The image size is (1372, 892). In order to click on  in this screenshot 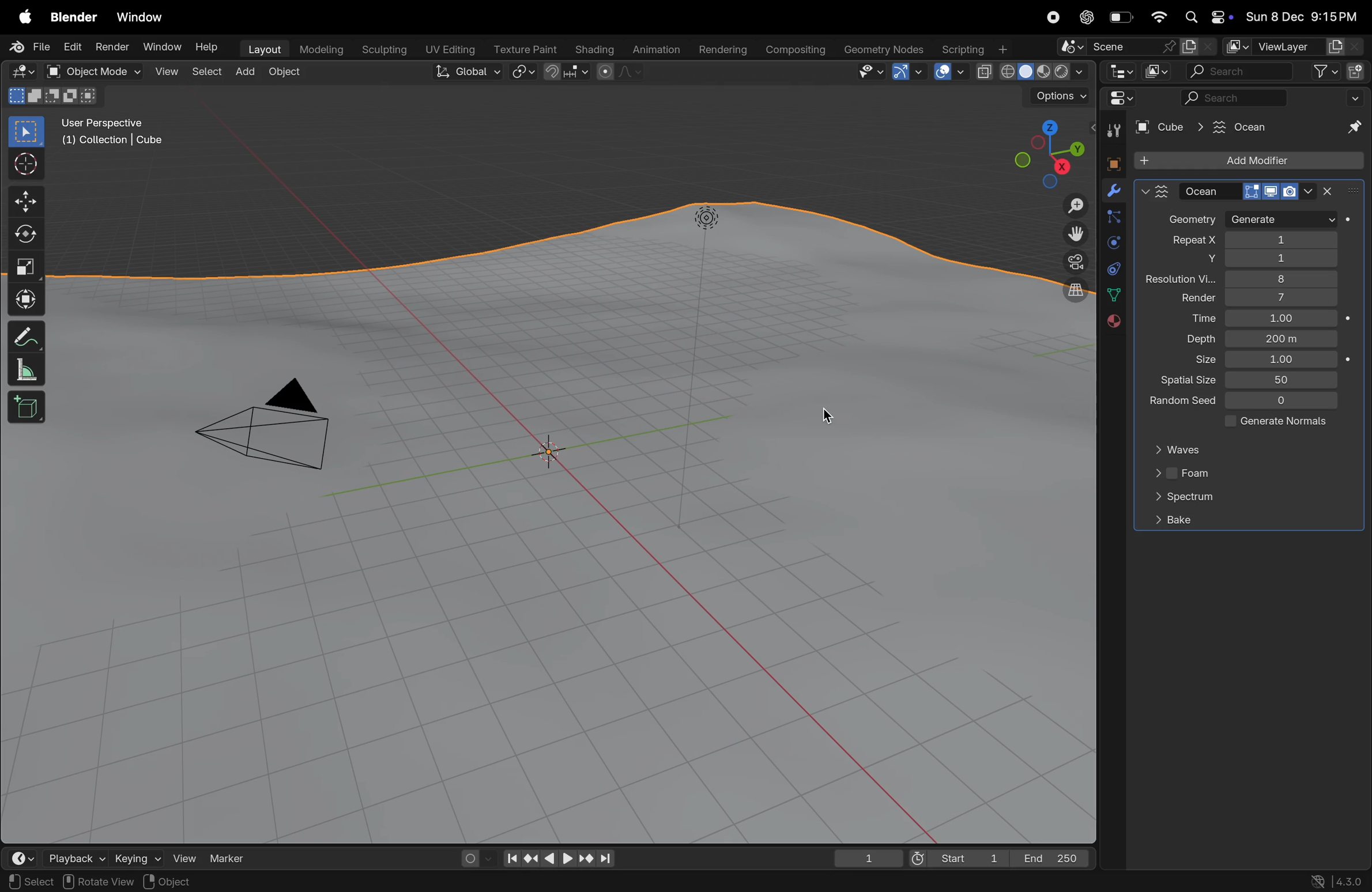, I will do `click(567, 74)`.